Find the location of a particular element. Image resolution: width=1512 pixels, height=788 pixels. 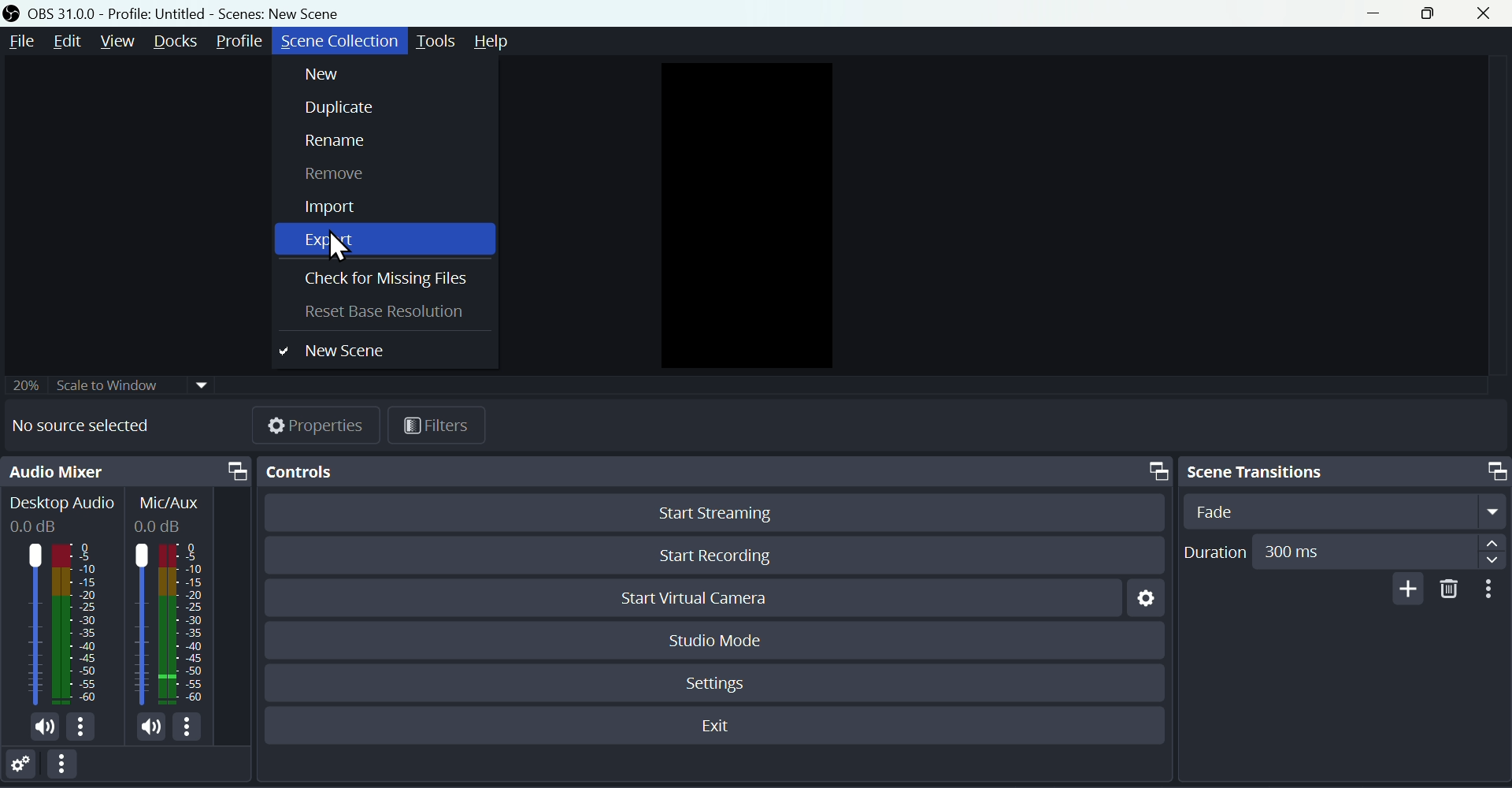

minimise is located at coordinates (1379, 15).